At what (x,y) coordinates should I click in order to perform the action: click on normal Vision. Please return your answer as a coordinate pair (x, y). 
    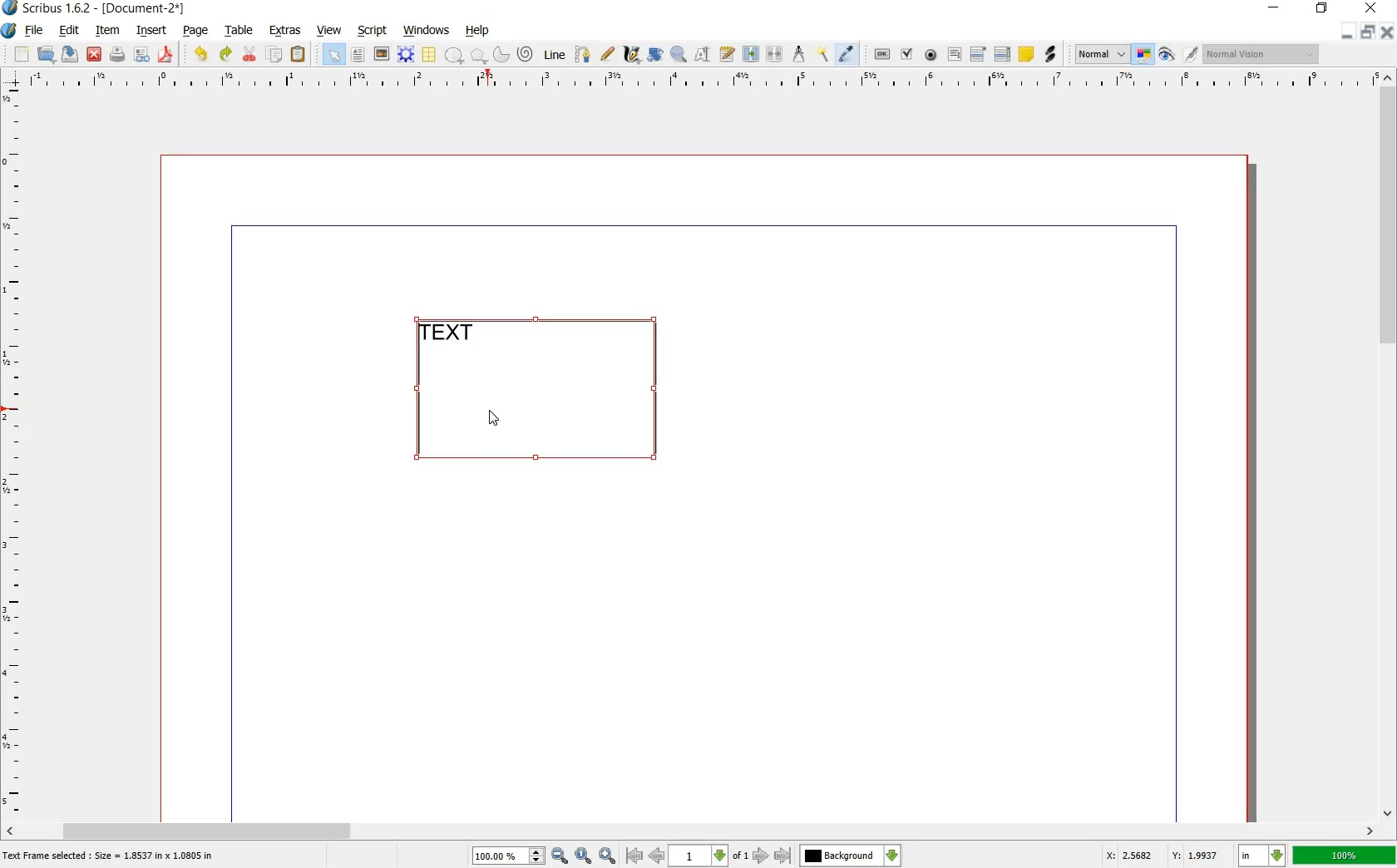
    Looking at the image, I should click on (1264, 53).